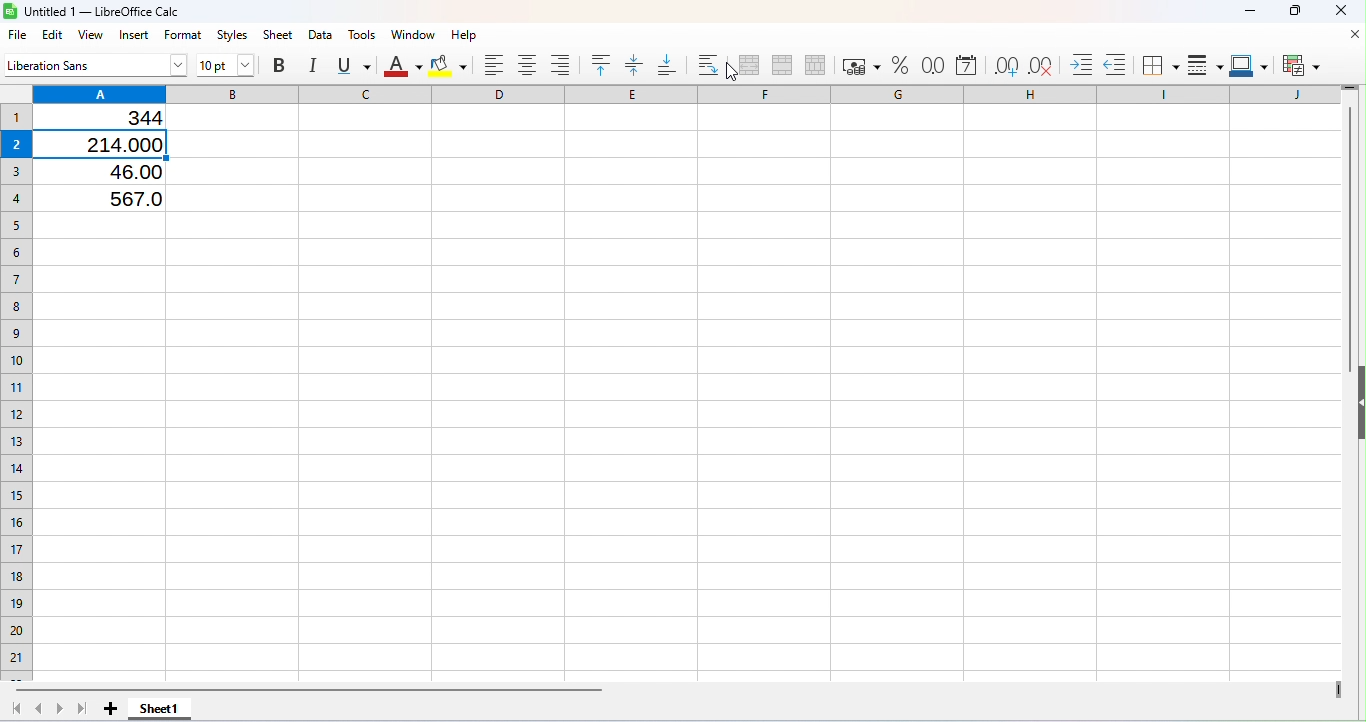 The image size is (1366, 722). Describe the element at coordinates (121, 118) in the screenshot. I see `344` at that location.